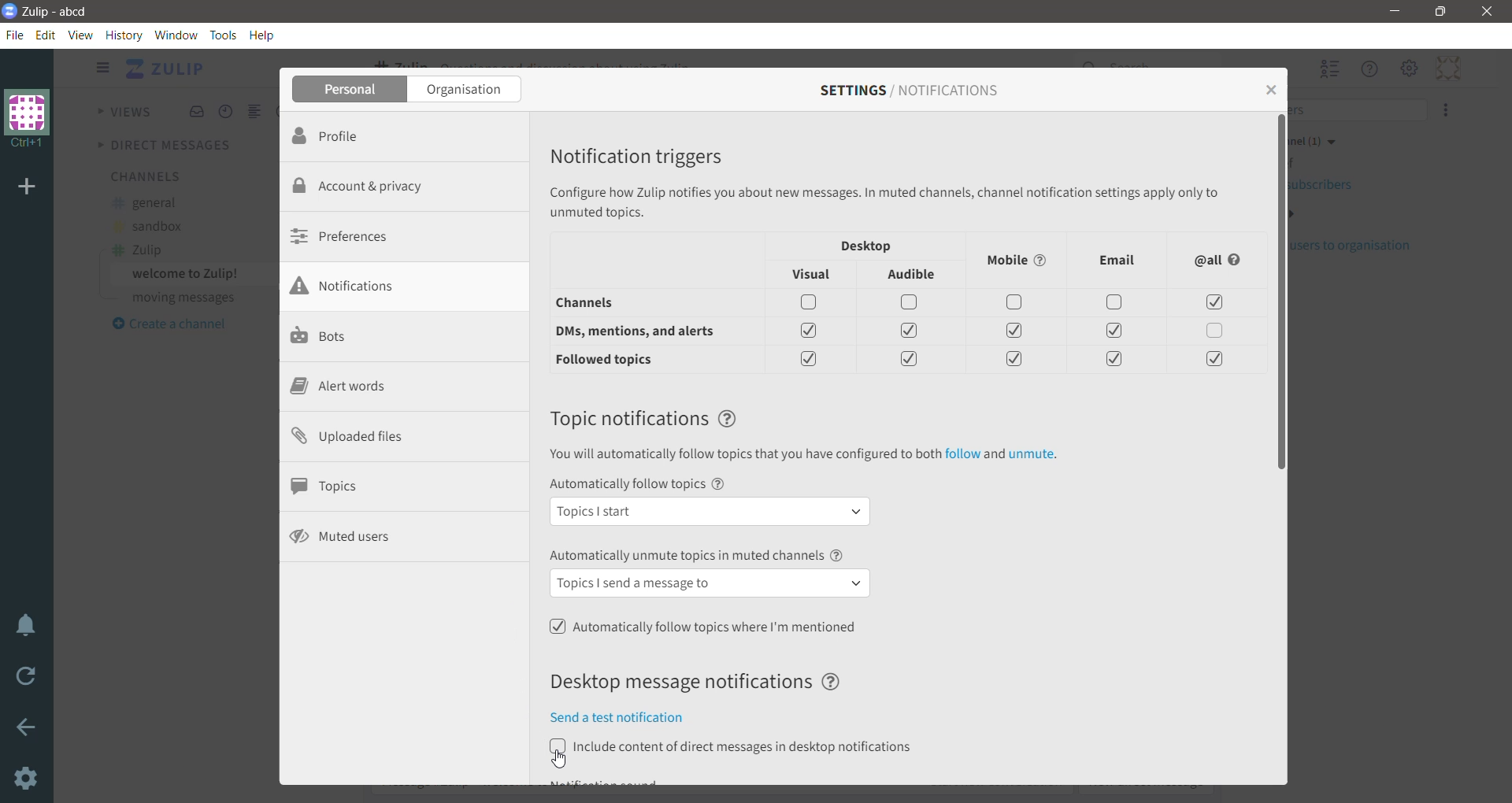  Describe the element at coordinates (350, 136) in the screenshot. I see `Profile` at that location.